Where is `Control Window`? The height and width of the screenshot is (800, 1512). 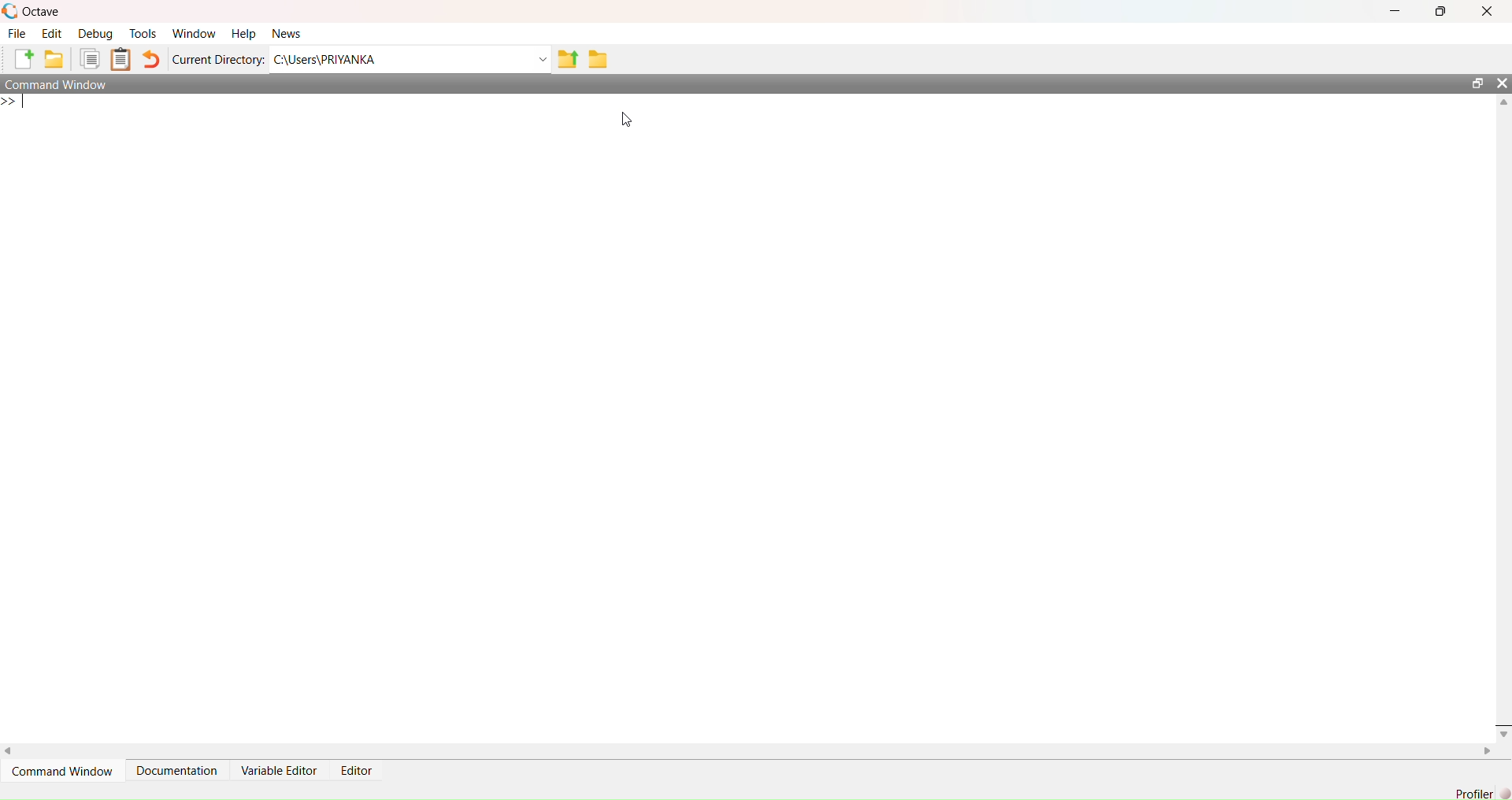
Control Window is located at coordinates (60, 85).